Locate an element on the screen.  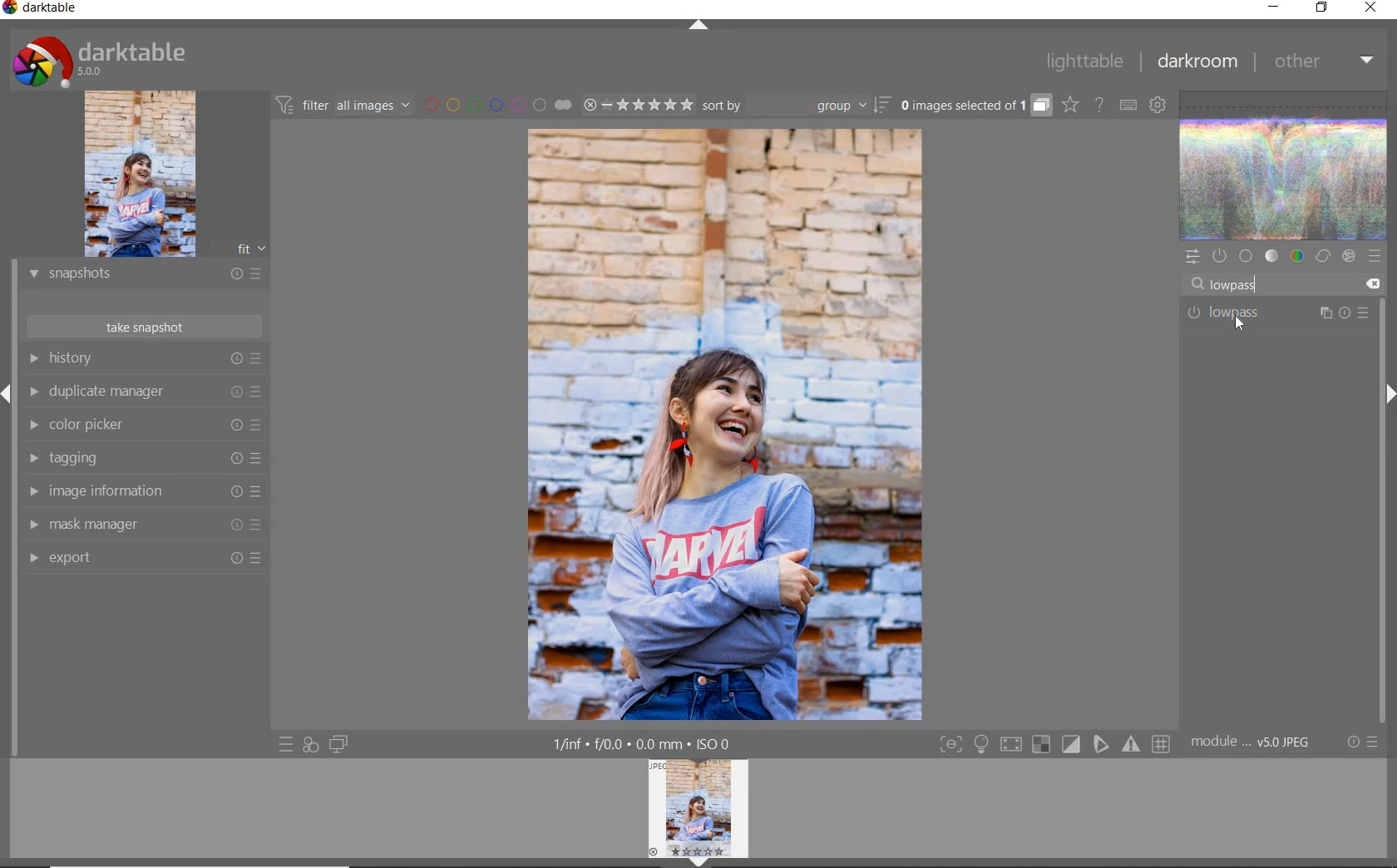
filter images by color labels is located at coordinates (497, 106).